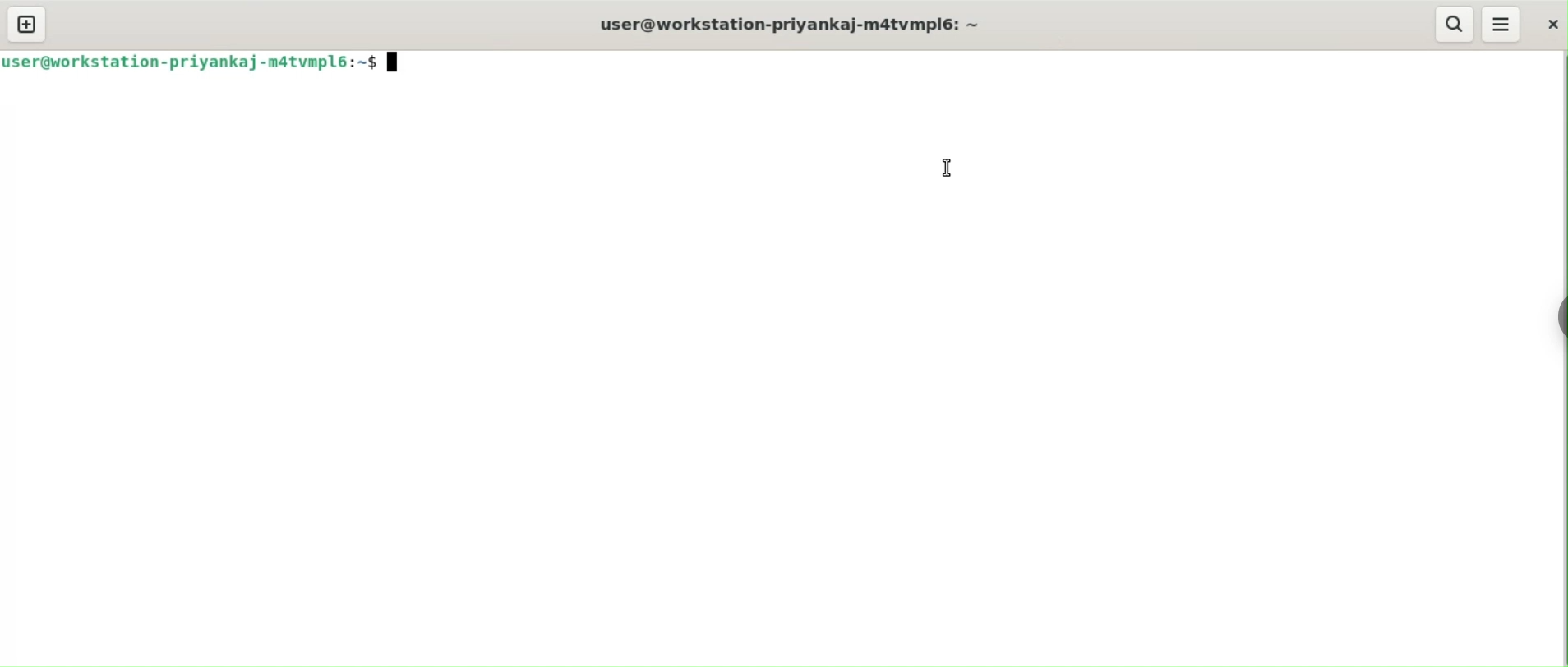  Describe the element at coordinates (1455, 23) in the screenshot. I see `search` at that location.